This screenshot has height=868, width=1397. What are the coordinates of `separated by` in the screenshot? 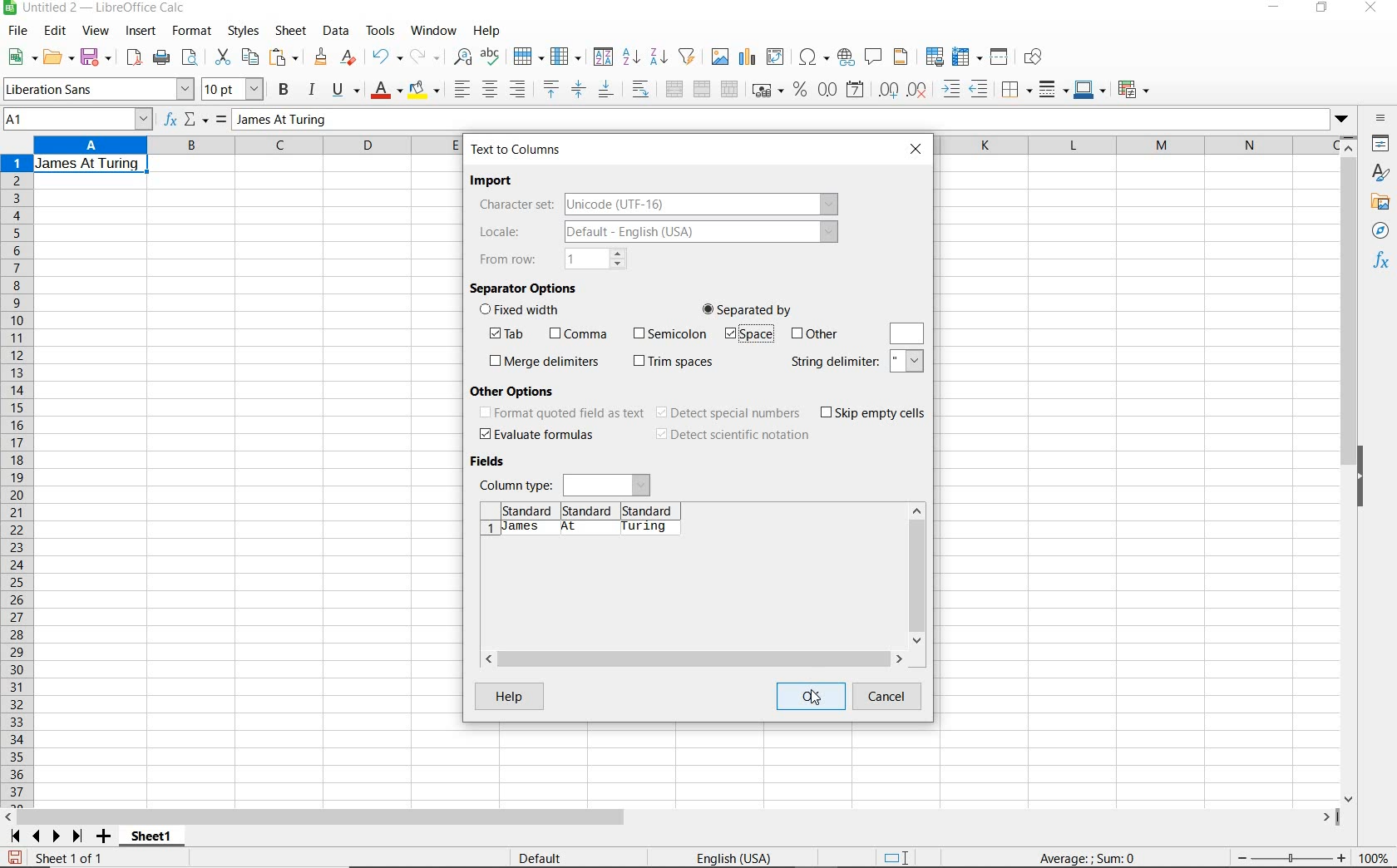 It's located at (748, 308).